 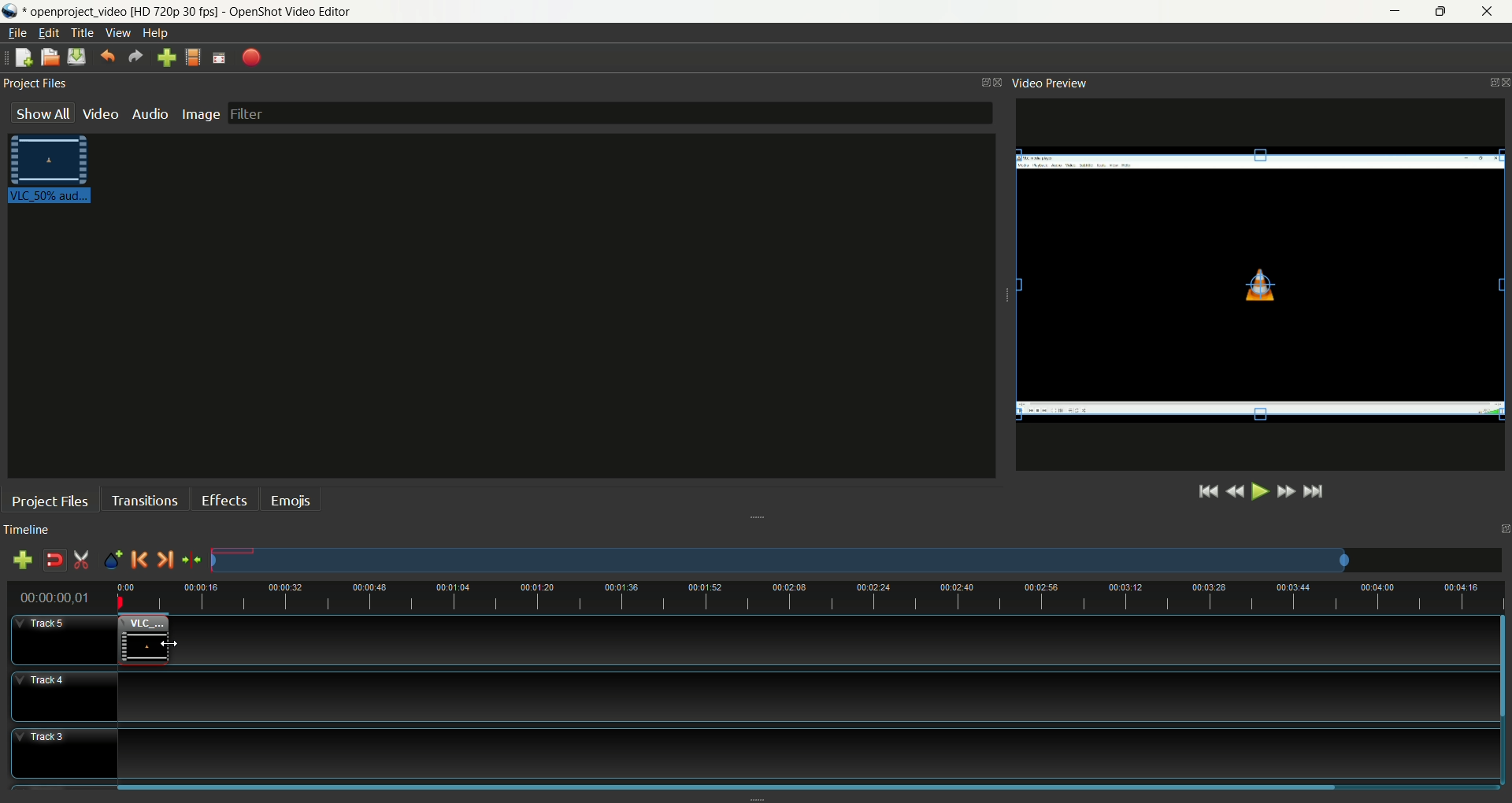 I want to click on video preview, so click(x=1054, y=85).